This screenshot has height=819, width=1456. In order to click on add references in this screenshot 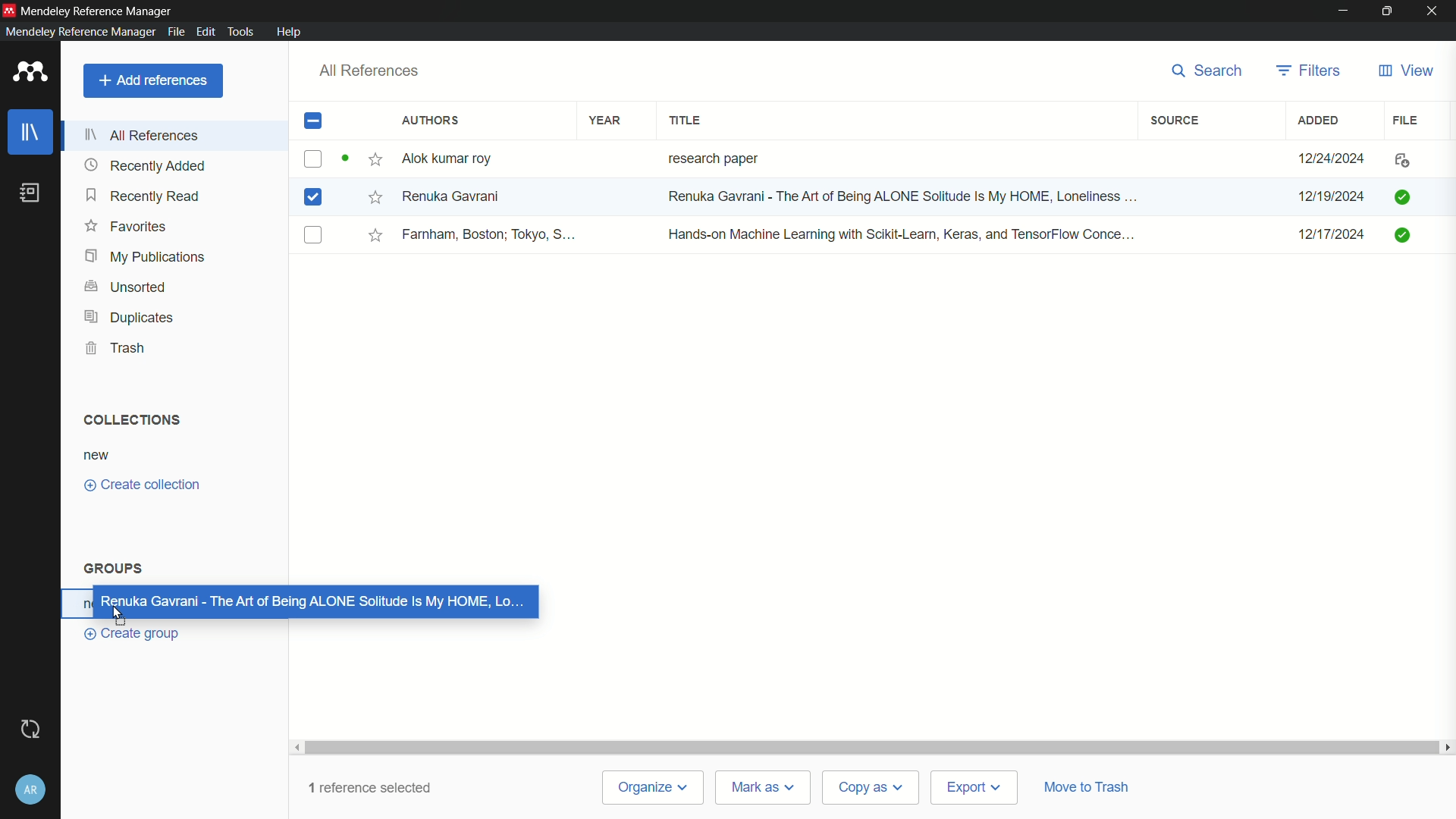, I will do `click(153, 80)`.